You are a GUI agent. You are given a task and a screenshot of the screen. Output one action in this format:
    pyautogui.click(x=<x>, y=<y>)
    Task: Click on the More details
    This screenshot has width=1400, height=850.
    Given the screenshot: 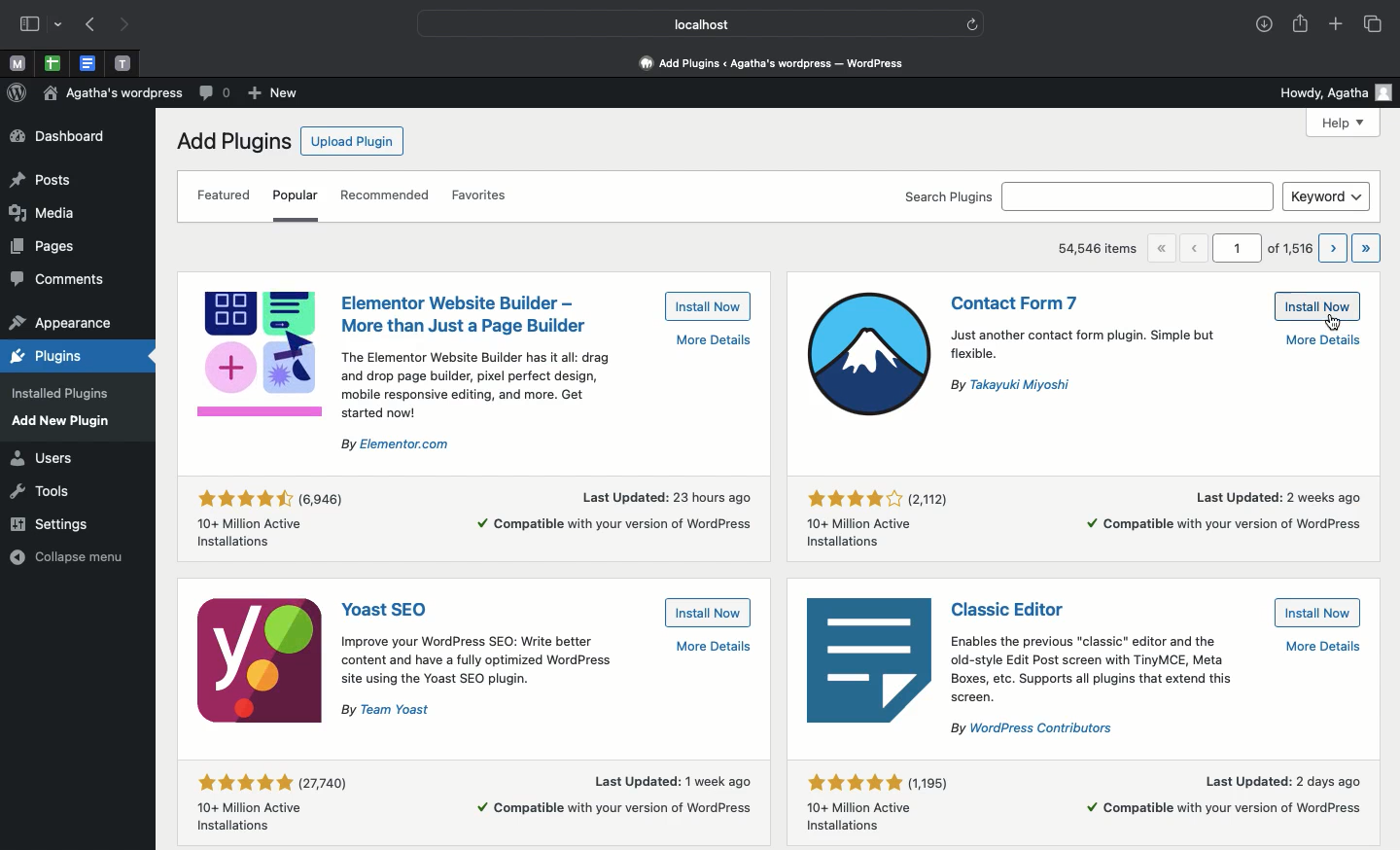 What is the action you would take?
    pyautogui.click(x=1327, y=345)
    